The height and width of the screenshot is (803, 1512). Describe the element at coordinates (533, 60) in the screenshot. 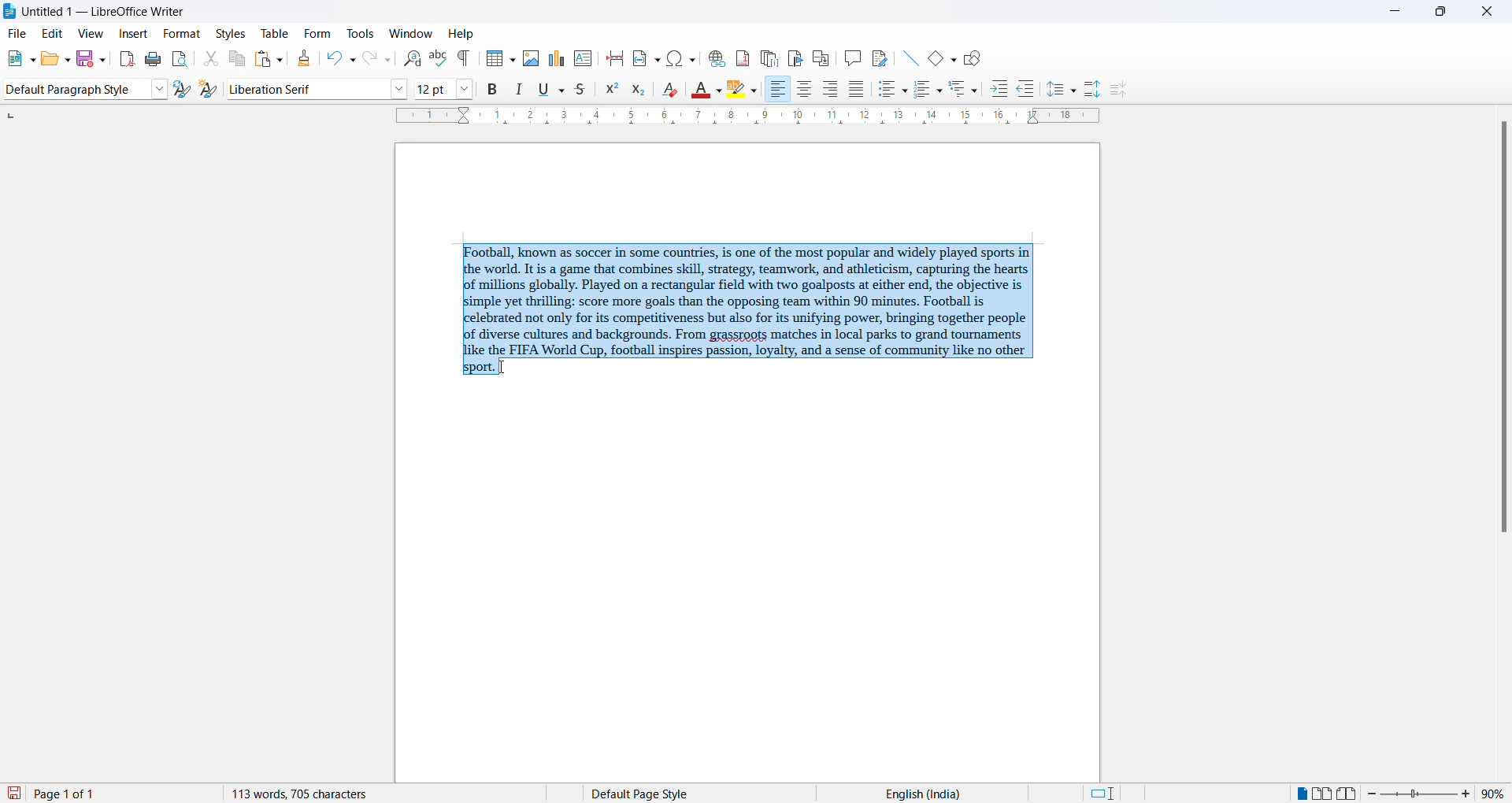

I see `insert images` at that location.